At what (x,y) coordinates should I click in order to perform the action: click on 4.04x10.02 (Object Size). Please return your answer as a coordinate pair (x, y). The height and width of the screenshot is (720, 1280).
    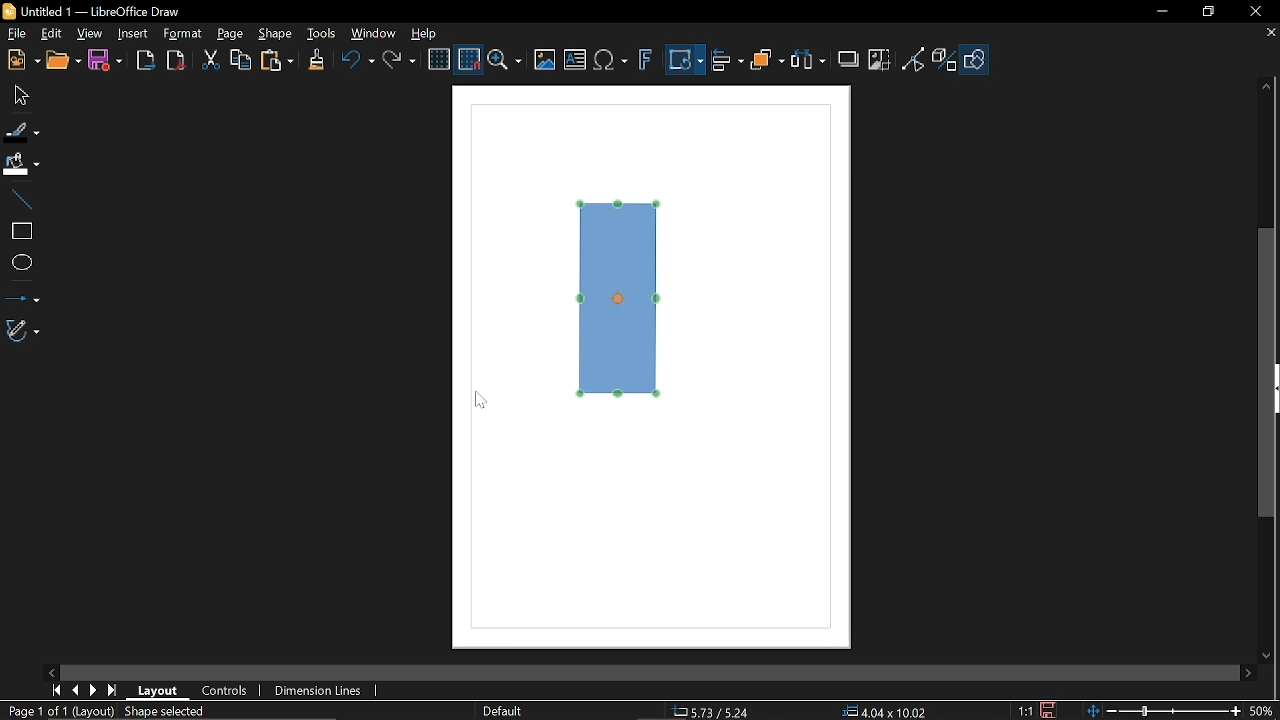
    Looking at the image, I should click on (885, 712).